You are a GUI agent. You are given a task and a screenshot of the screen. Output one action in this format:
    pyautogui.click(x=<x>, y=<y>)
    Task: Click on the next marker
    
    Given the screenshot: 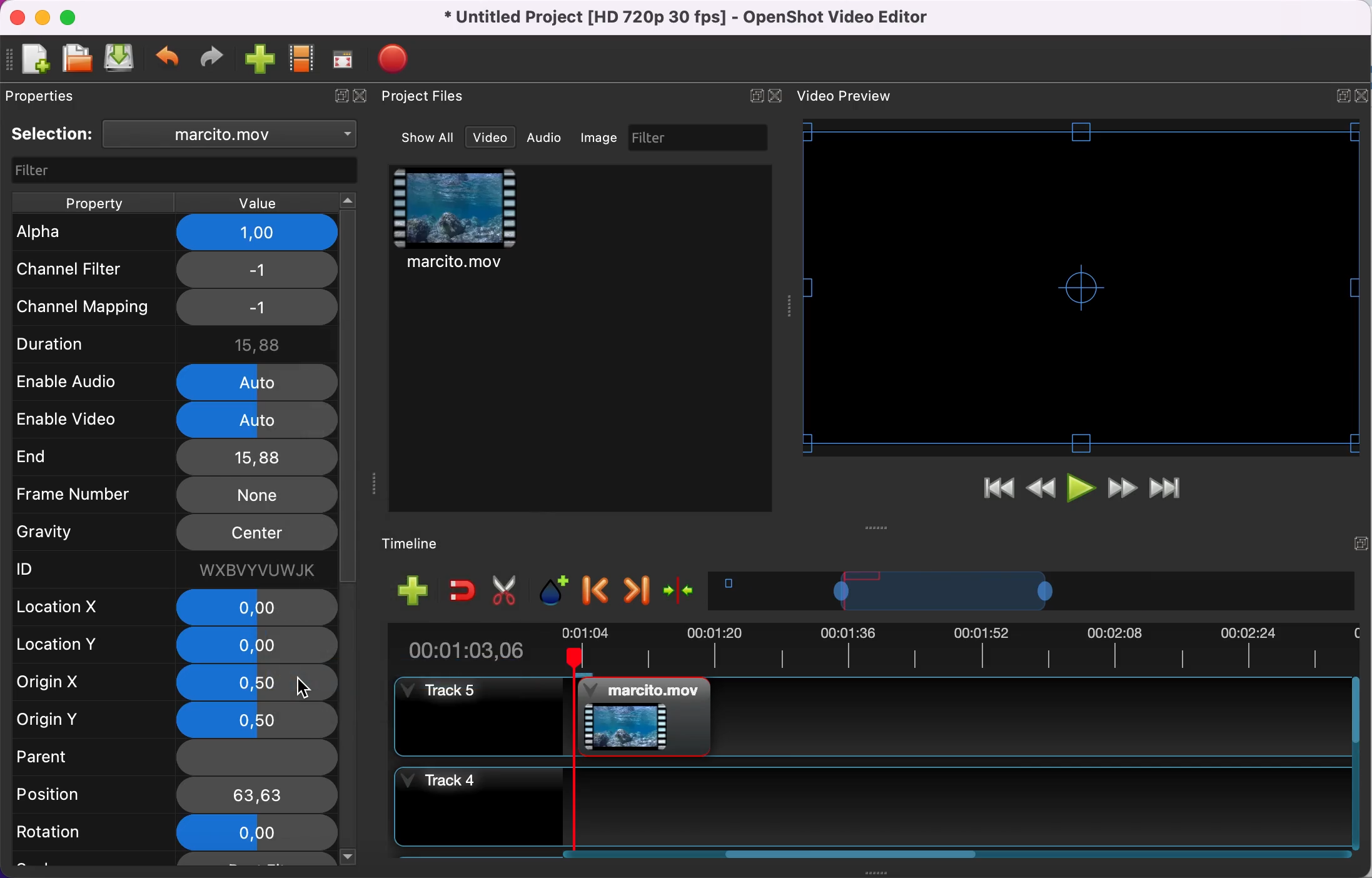 What is the action you would take?
    pyautogui.click(x=638, y=590)
    